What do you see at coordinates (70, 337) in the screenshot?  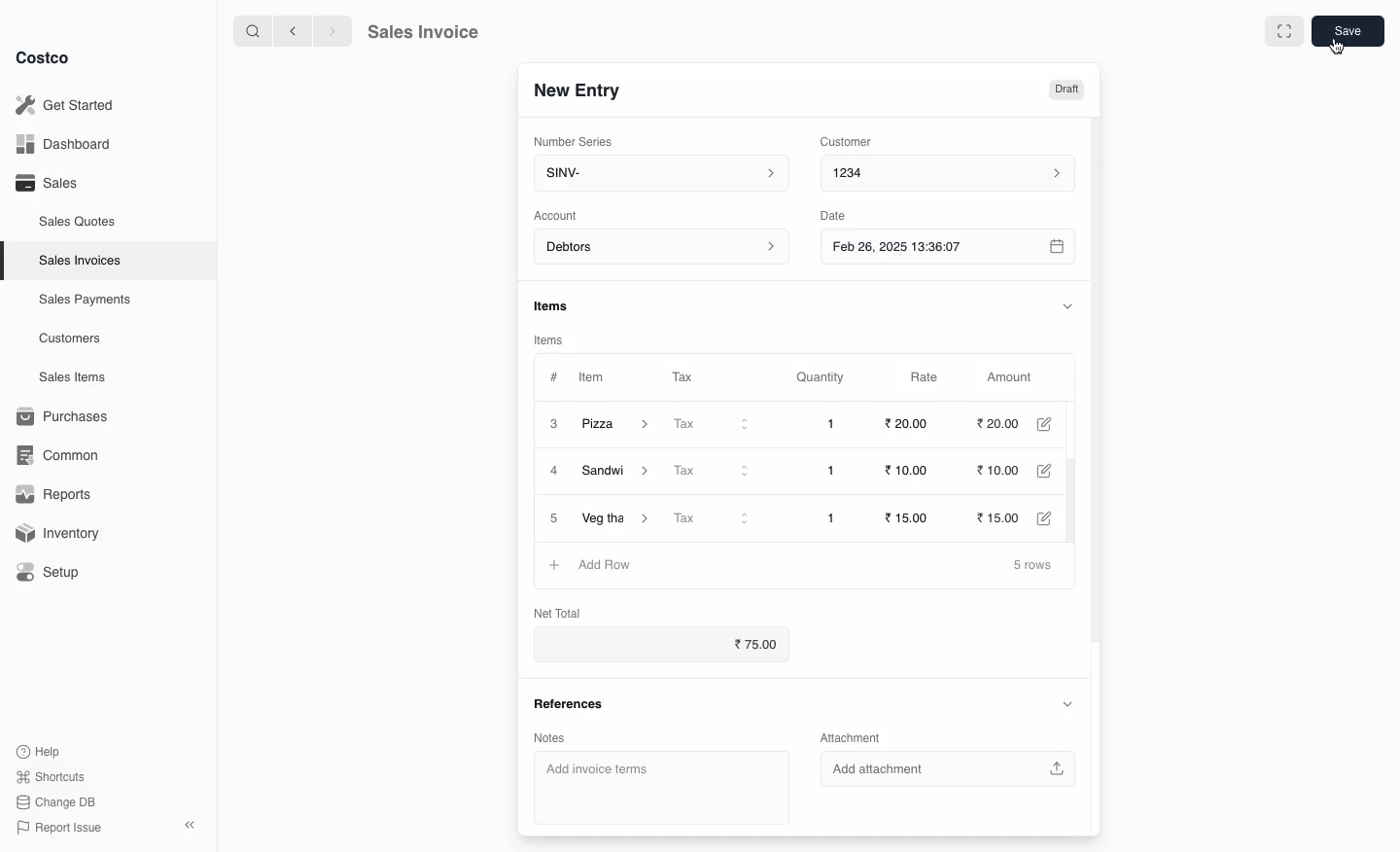 I see `Customers` at bounding box center [70, 337].